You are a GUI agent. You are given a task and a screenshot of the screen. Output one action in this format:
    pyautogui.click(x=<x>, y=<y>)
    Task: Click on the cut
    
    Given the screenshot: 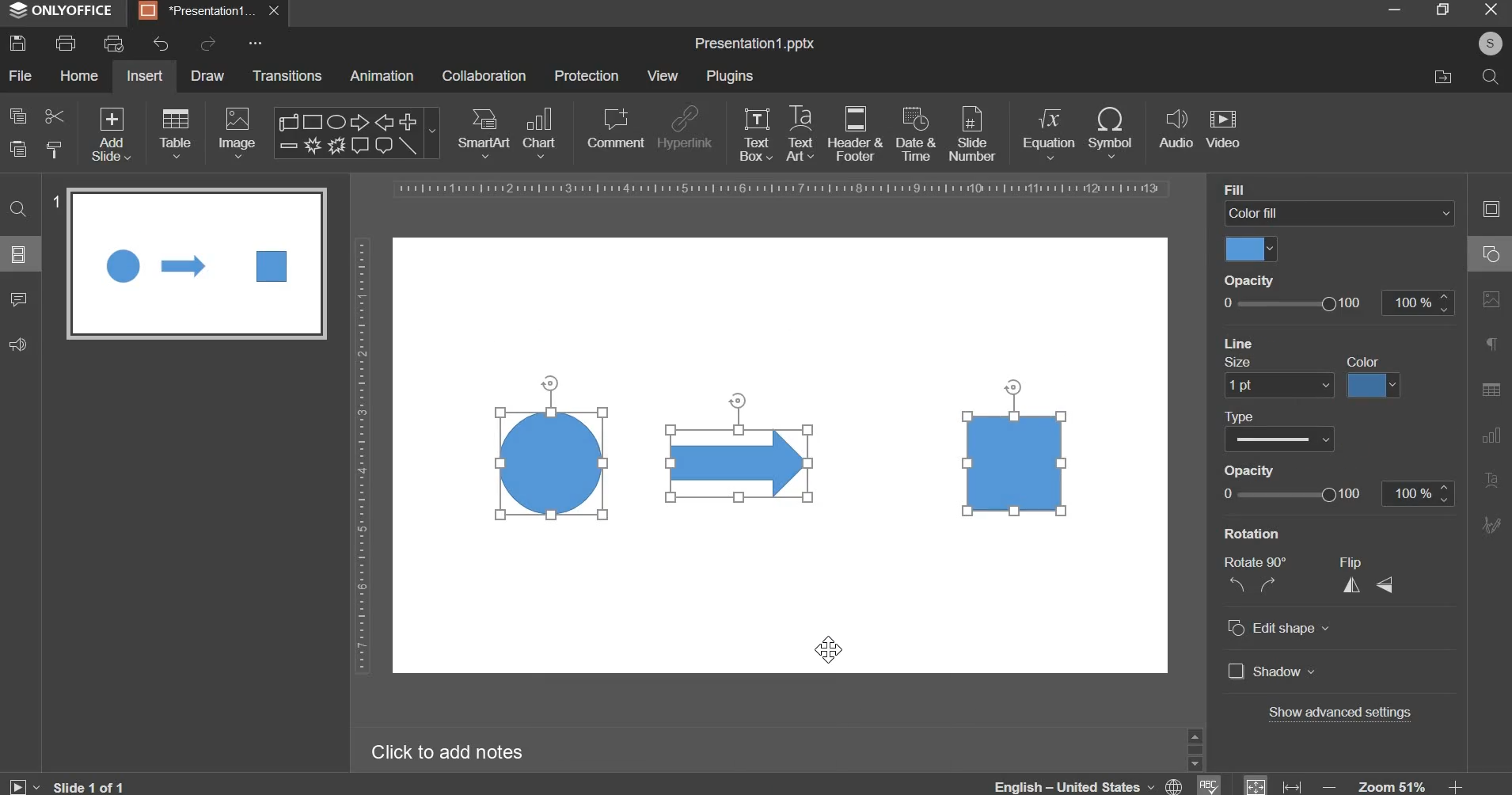 What is the action you would take?
    pyautogui.click(x=53, y=115)
    